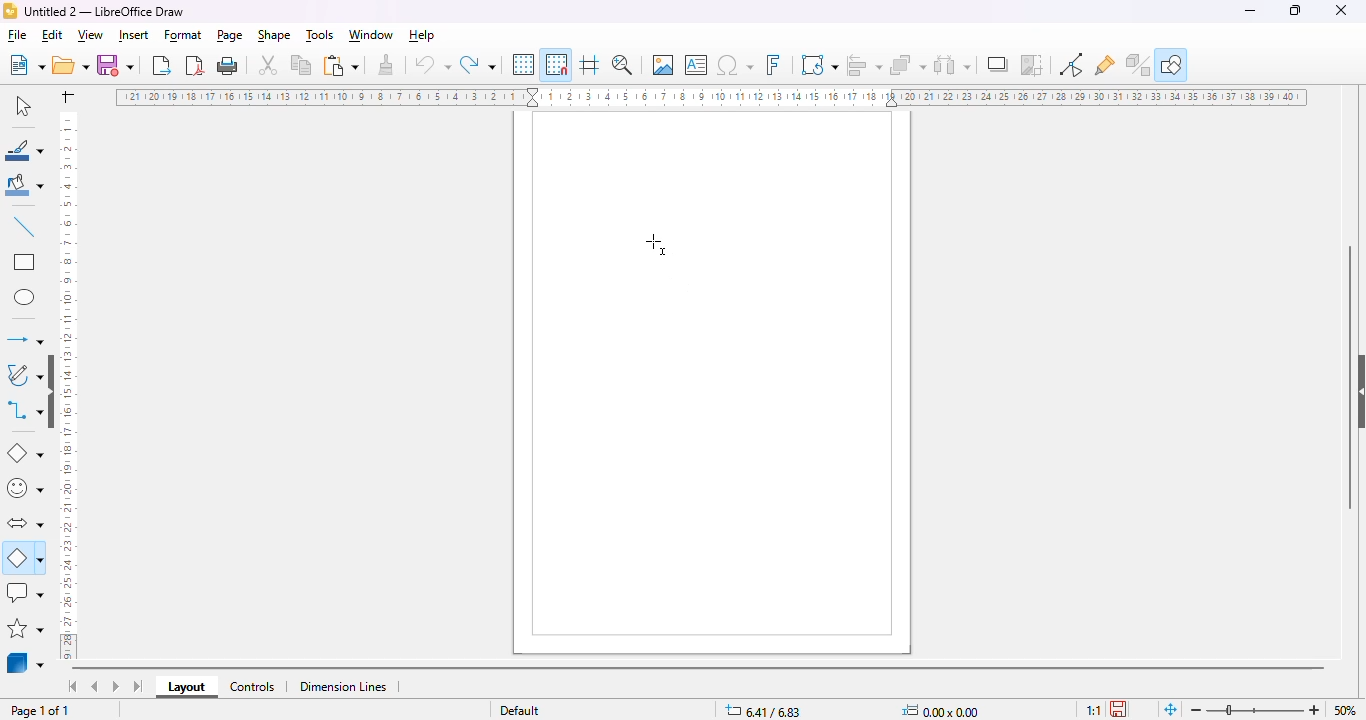 This screenshot has height=720, width=1366. Describe the element at coordinates (908, 64) in the screenshot. I see `arrange` at that location.